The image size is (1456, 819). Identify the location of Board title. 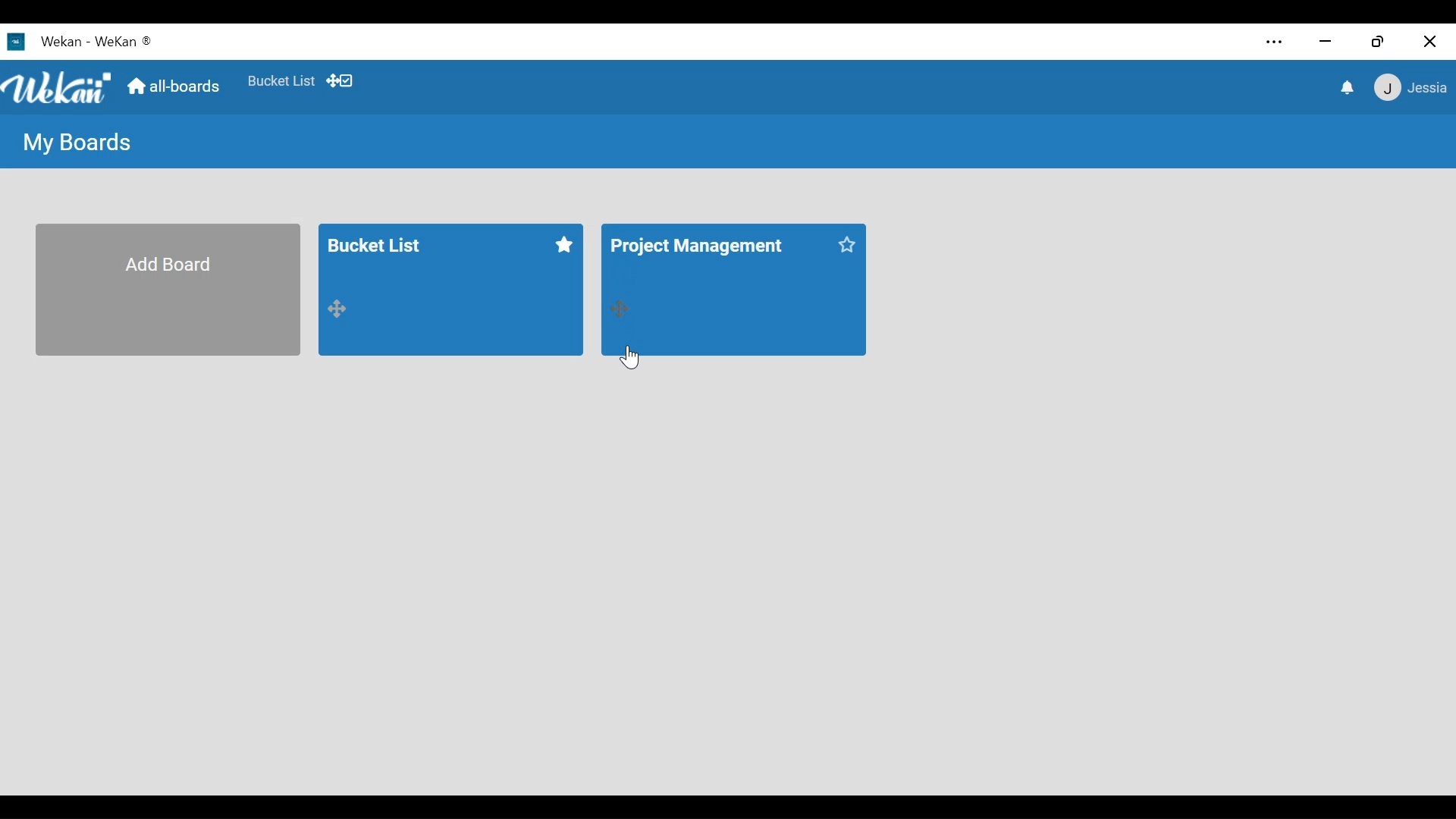
(394, 243).